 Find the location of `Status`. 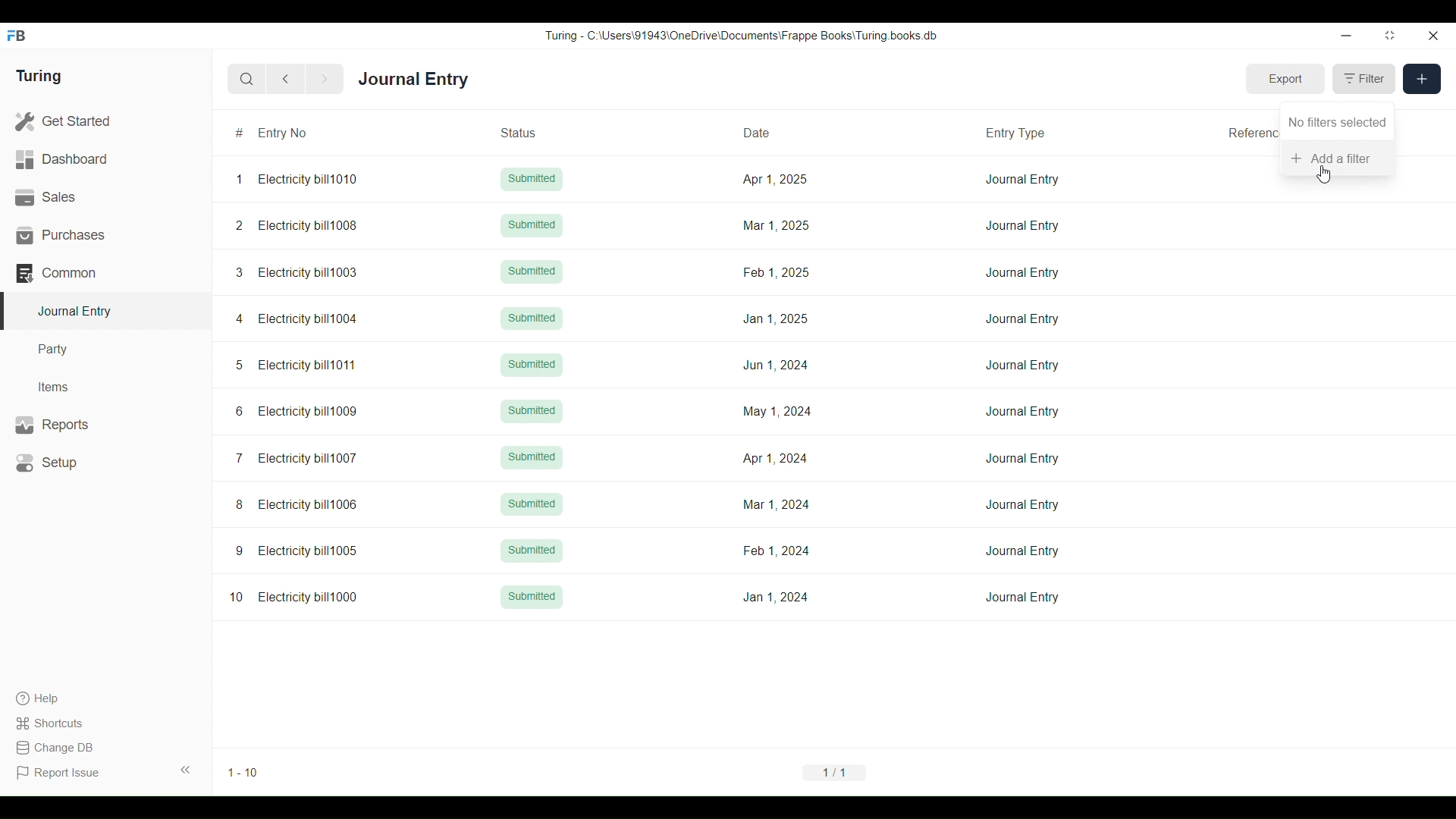

Status is located at coordinates (536, 132).